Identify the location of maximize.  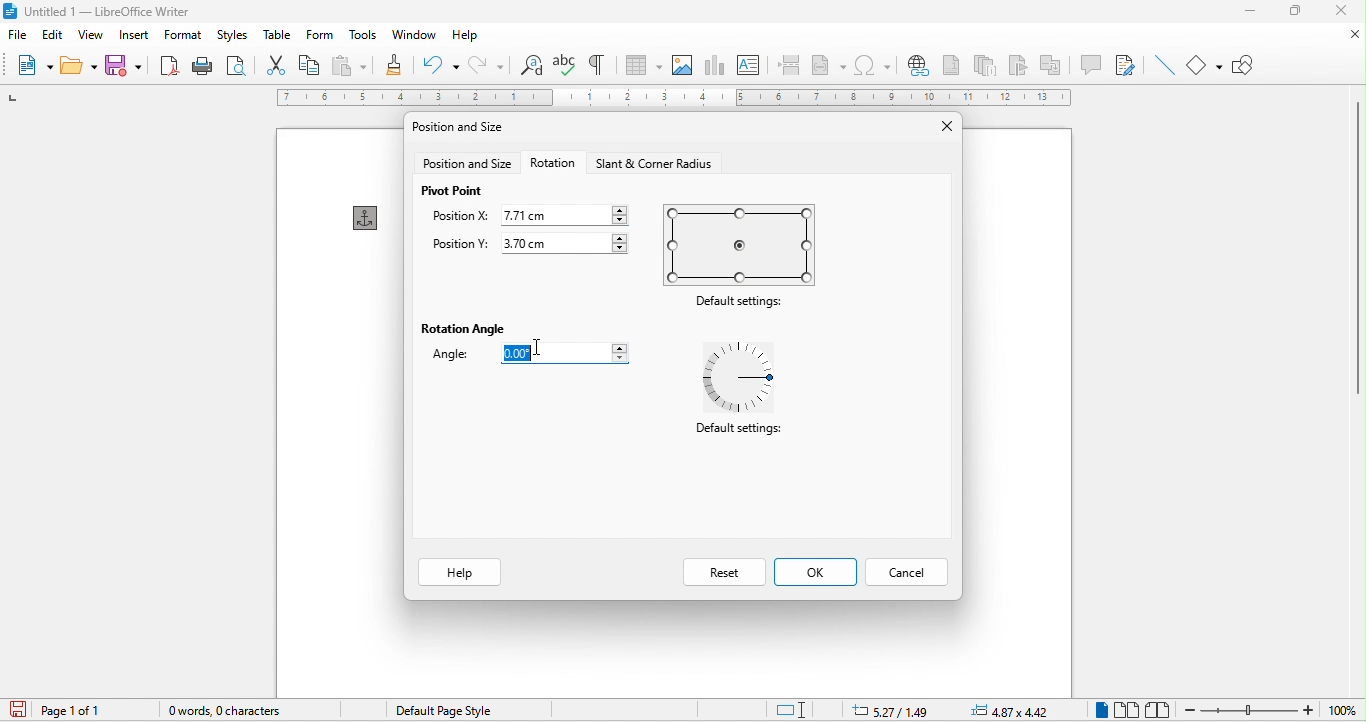
(1295, 10).